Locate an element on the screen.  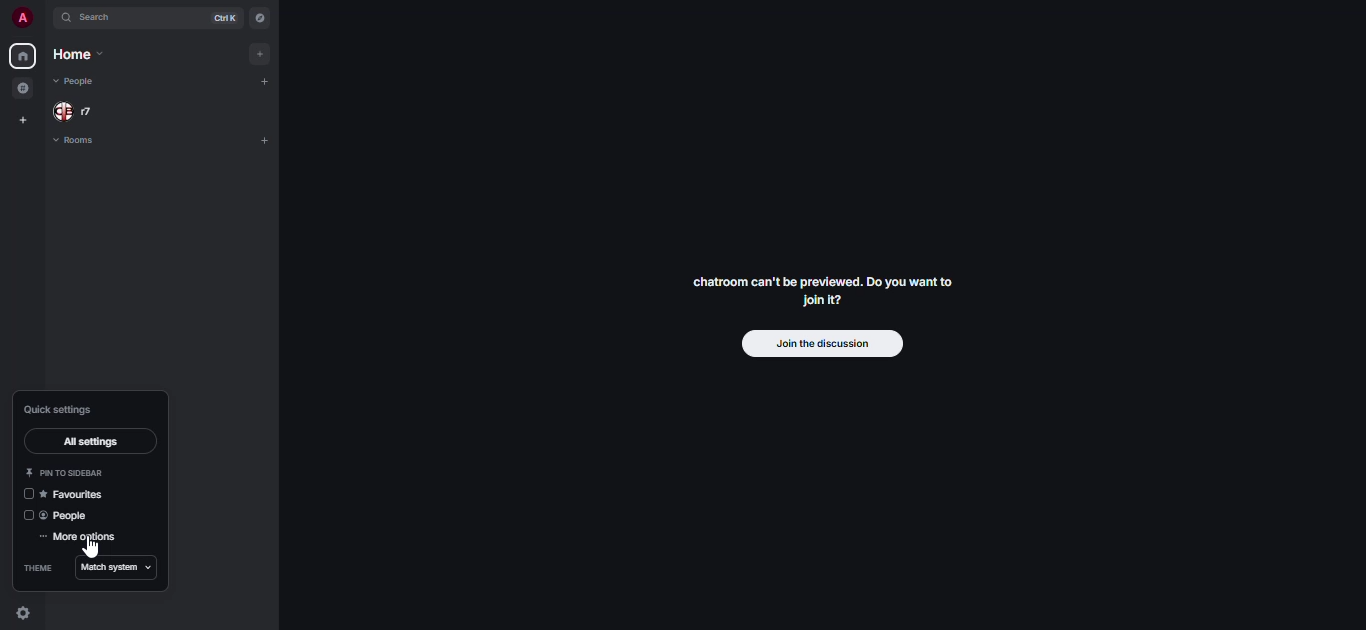
rooms is located at coordinates (82, 141).